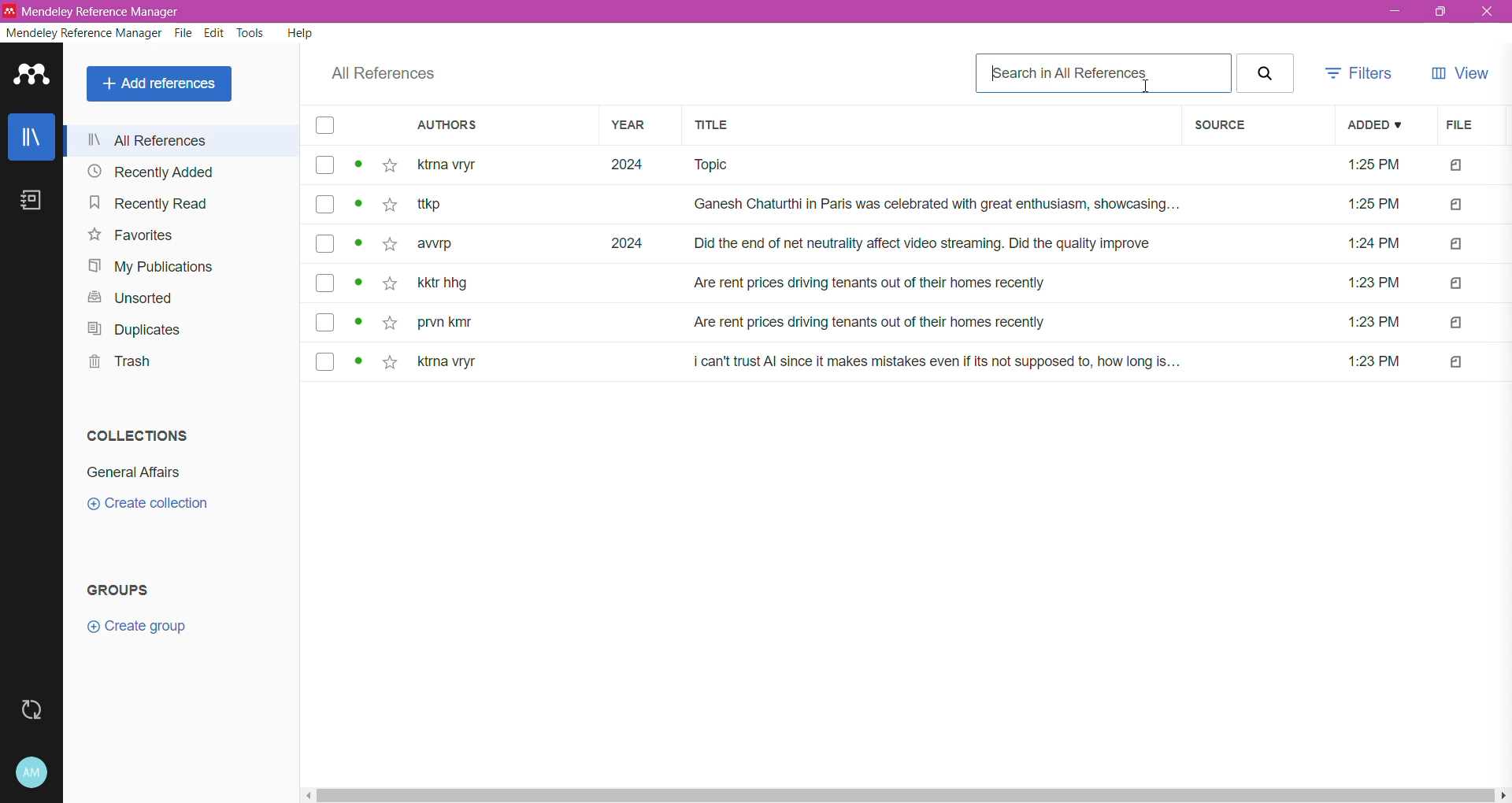  Describe the element at coordinates (249, 35) in the screenshot. I see `Tools` at that location.